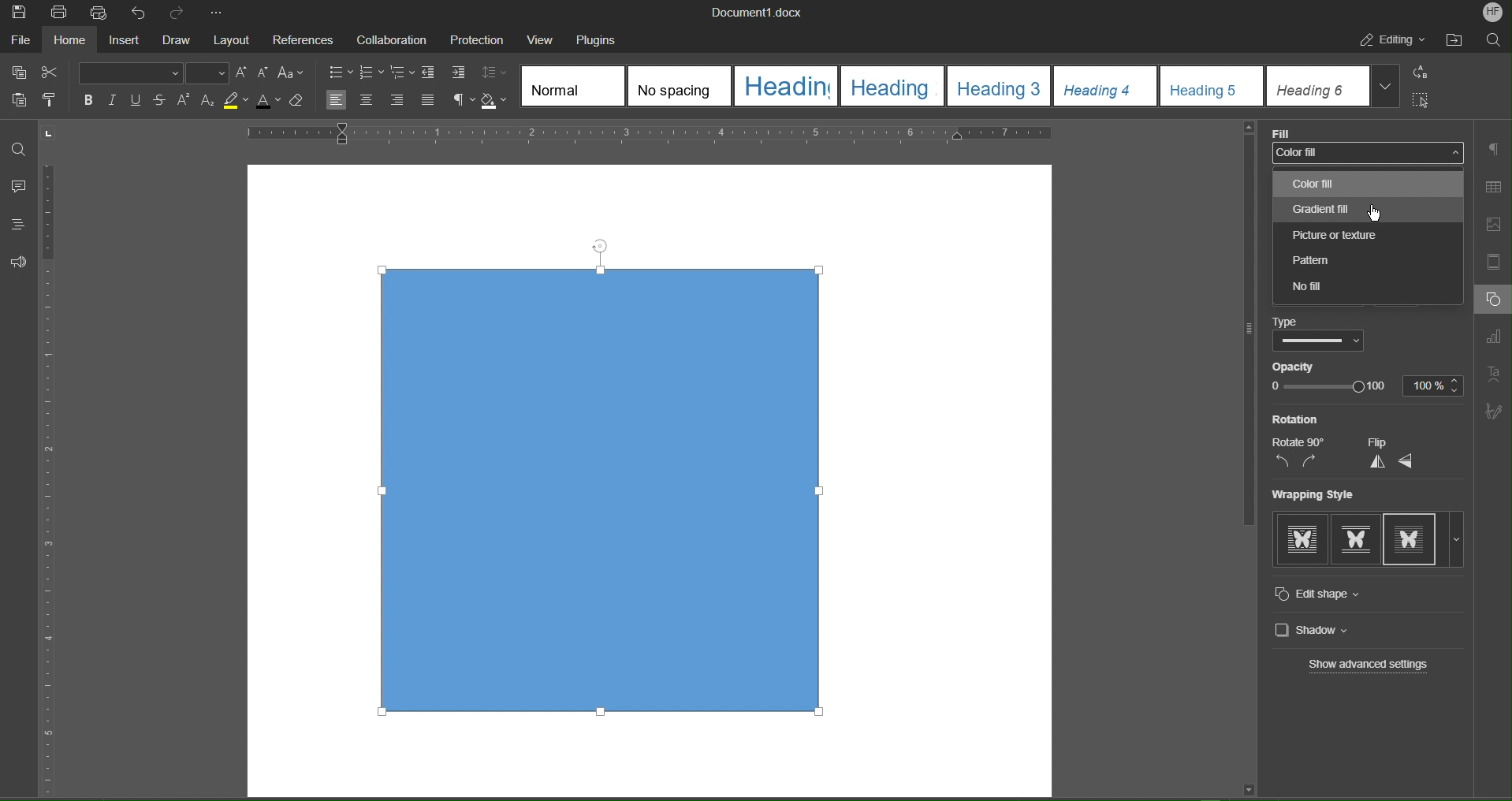 The height and width of the screenshot is (801, 1512). What do you see at coordinates (1313, 184) in the screenshot?
I see `Color Fill` at bounding box center [1313, 184].